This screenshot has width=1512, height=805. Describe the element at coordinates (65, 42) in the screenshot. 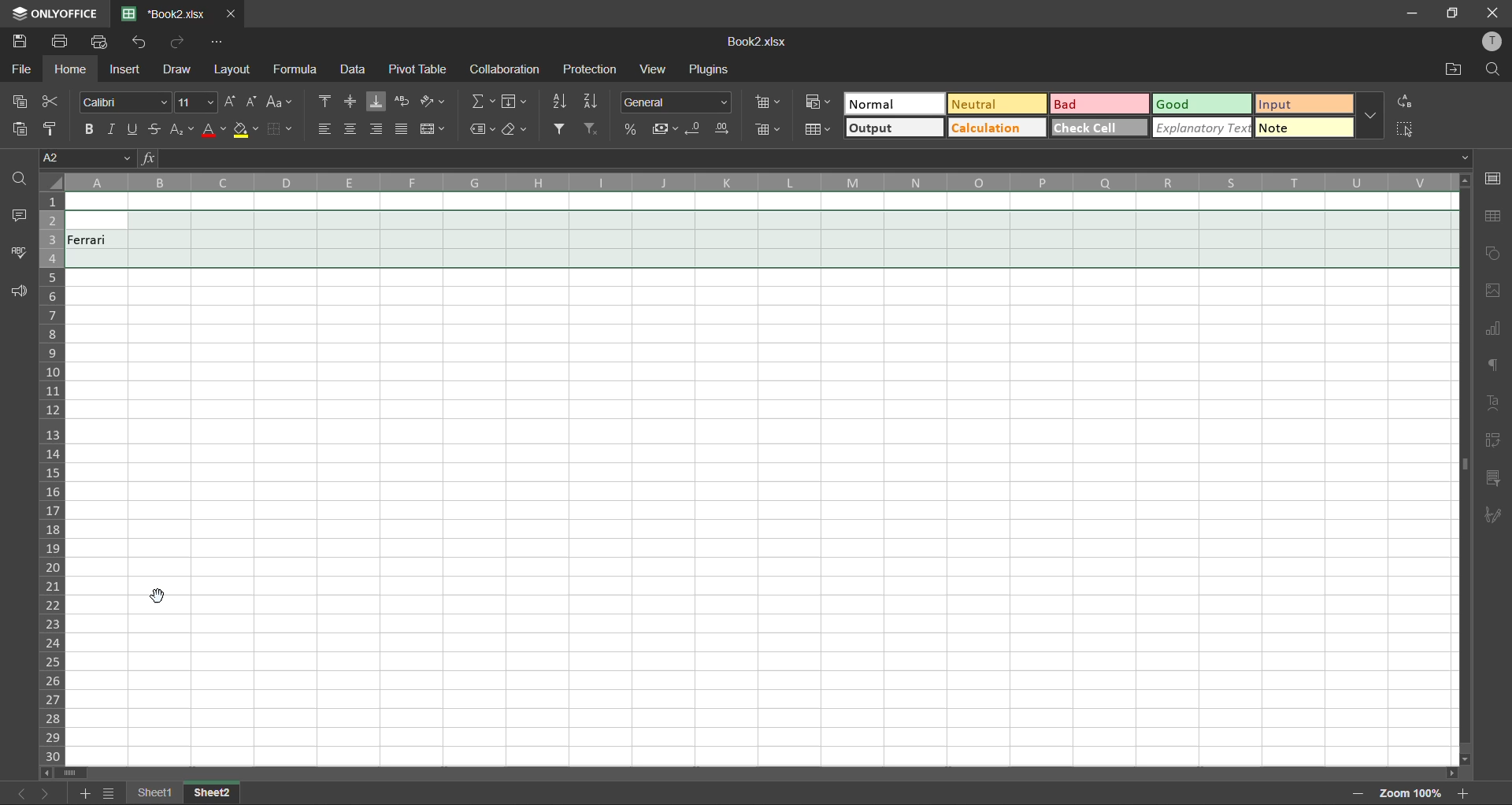

I see `print` at that location.